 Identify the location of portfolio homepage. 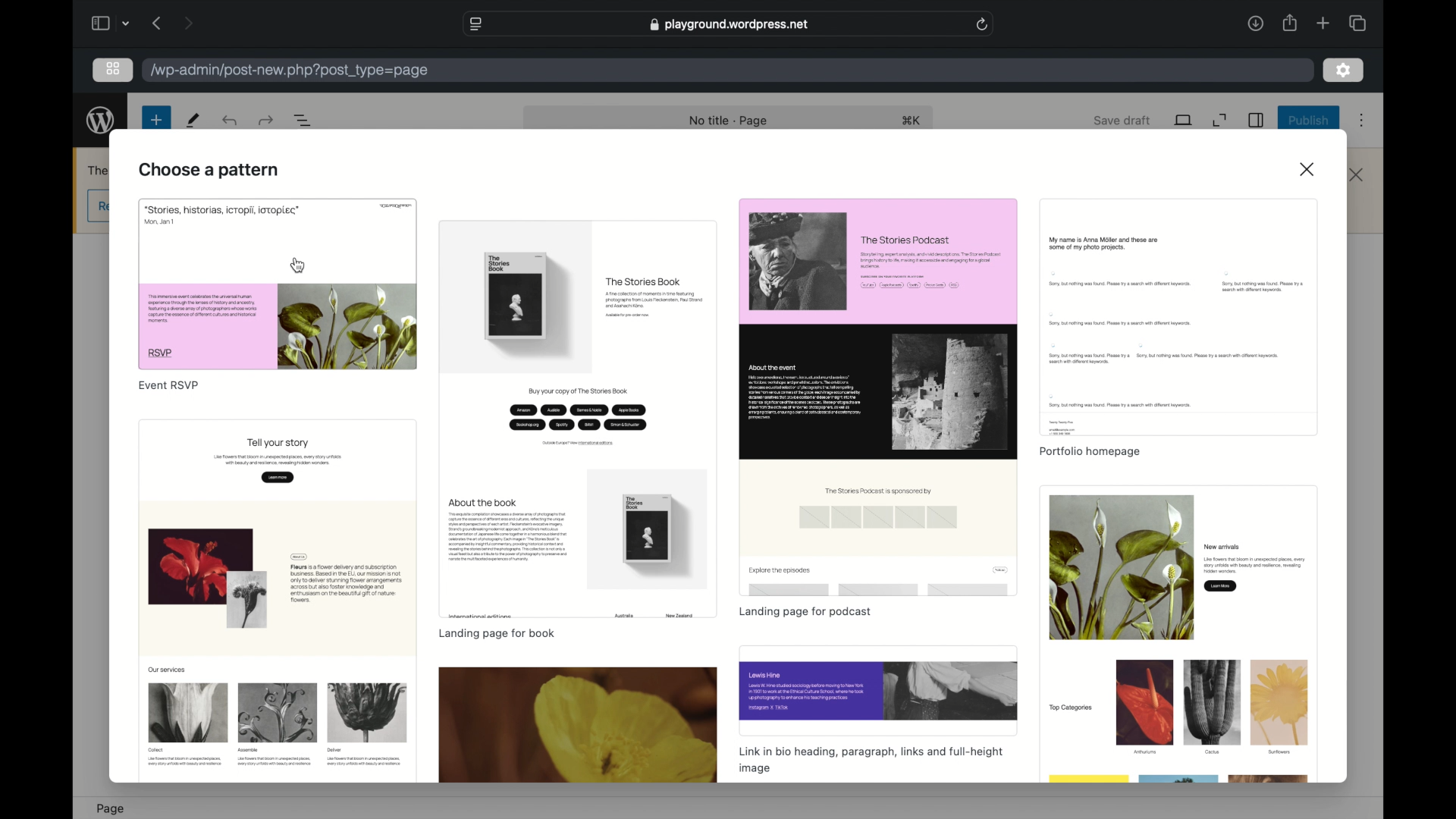
(1088, 453).